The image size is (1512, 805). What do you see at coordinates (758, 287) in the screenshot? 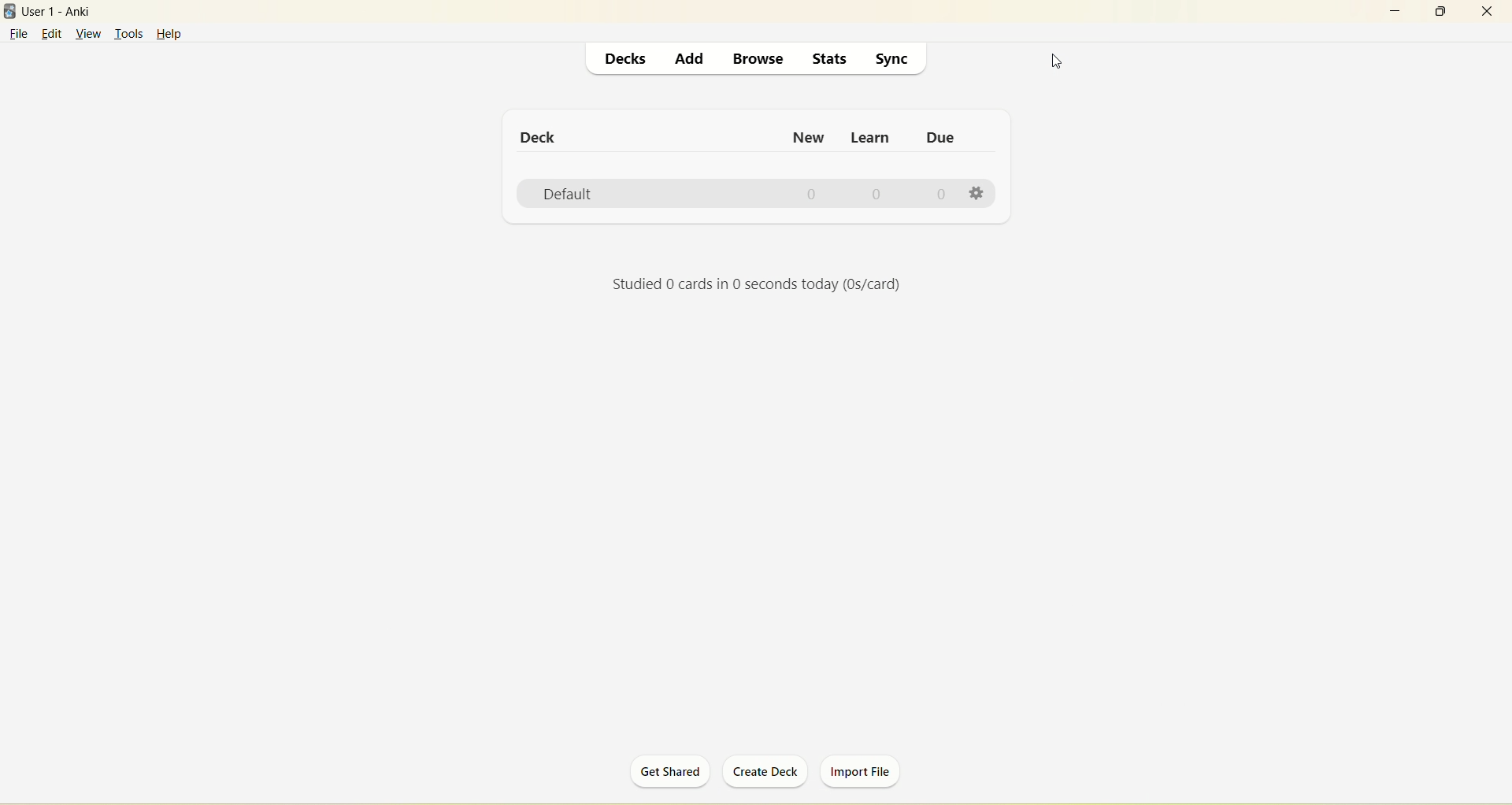
I see `Studied 0 cards in 0 seconds today` at bounding box center [758, 287].